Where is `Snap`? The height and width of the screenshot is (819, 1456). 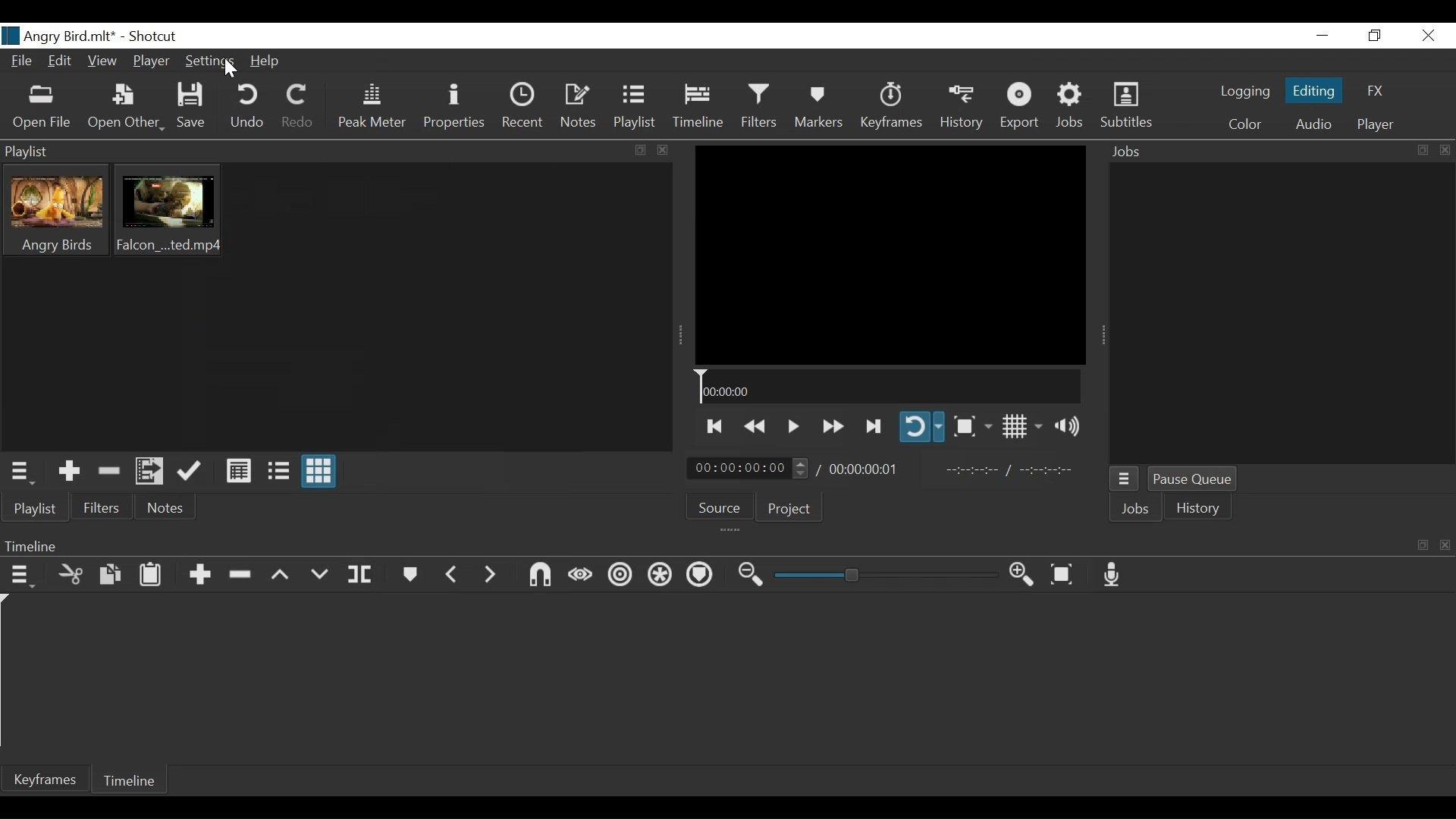
Snap is located at coordinates (541, 576).